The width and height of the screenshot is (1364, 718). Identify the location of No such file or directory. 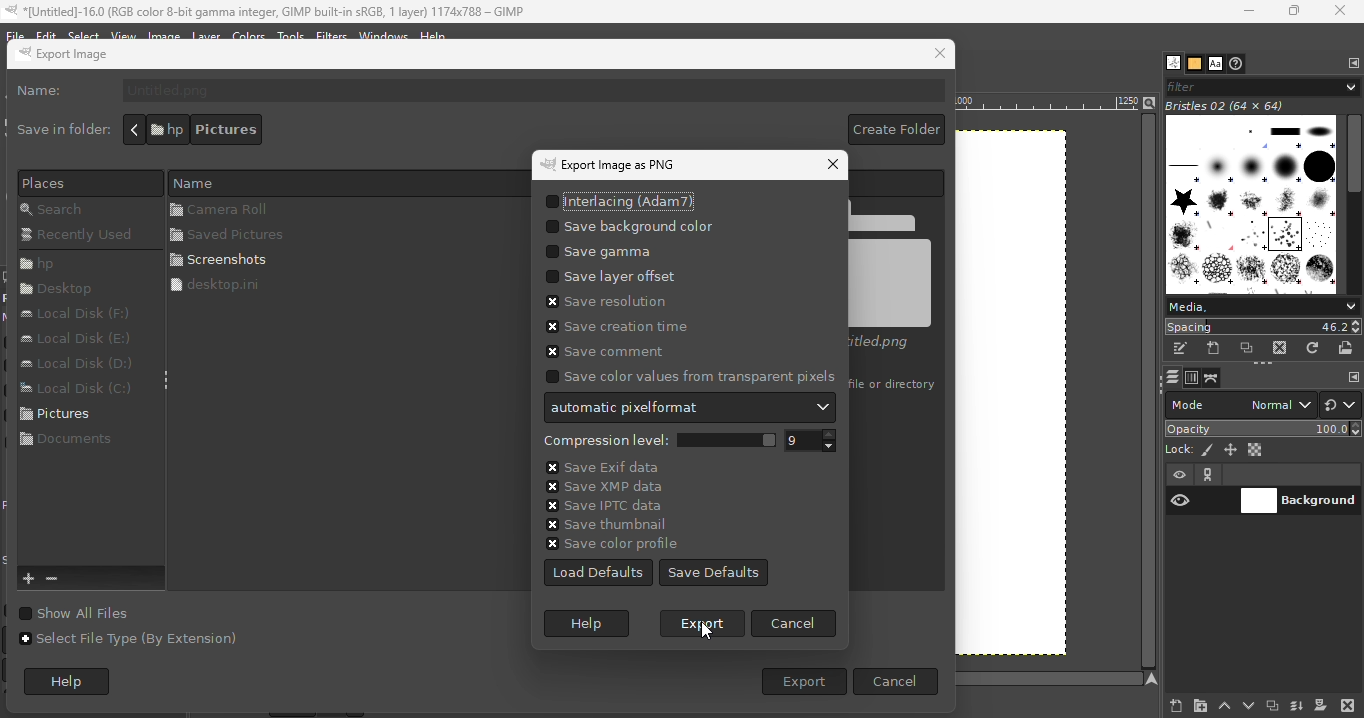
(894, 385).